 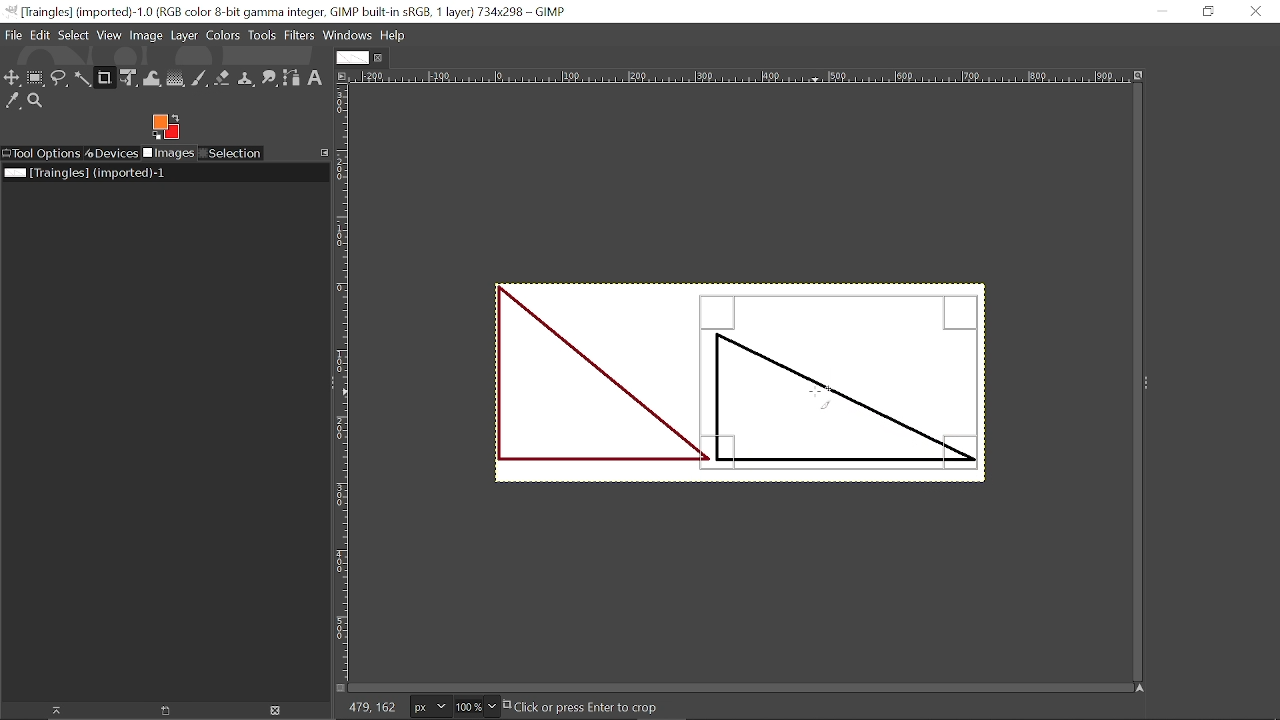 What do you see at coordinates (231, 153) in the screenshot?
I see `Selection tool` at bounding box center [231, 153].